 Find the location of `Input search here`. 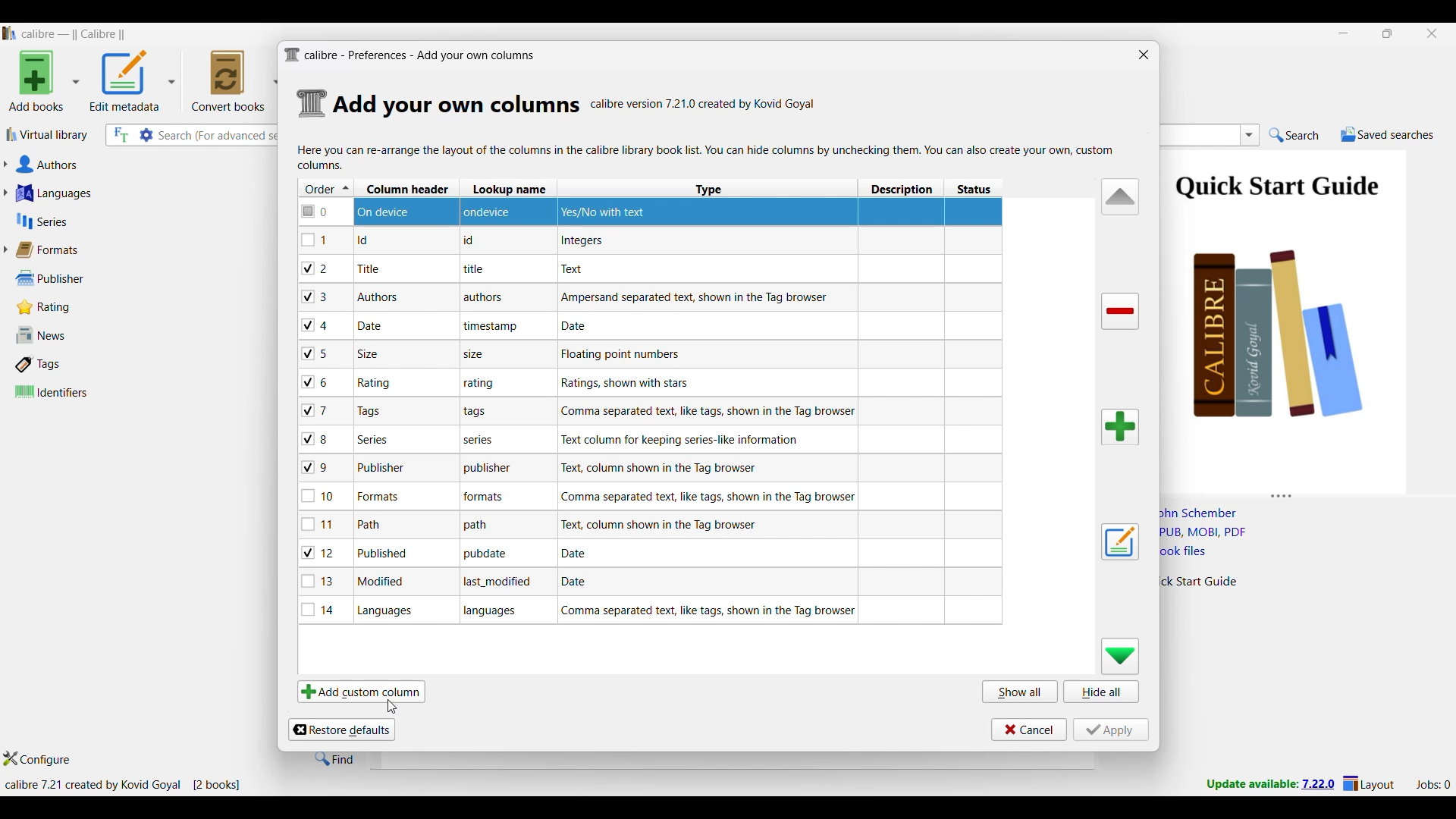

Input search here is located at coordinates (220, 136).